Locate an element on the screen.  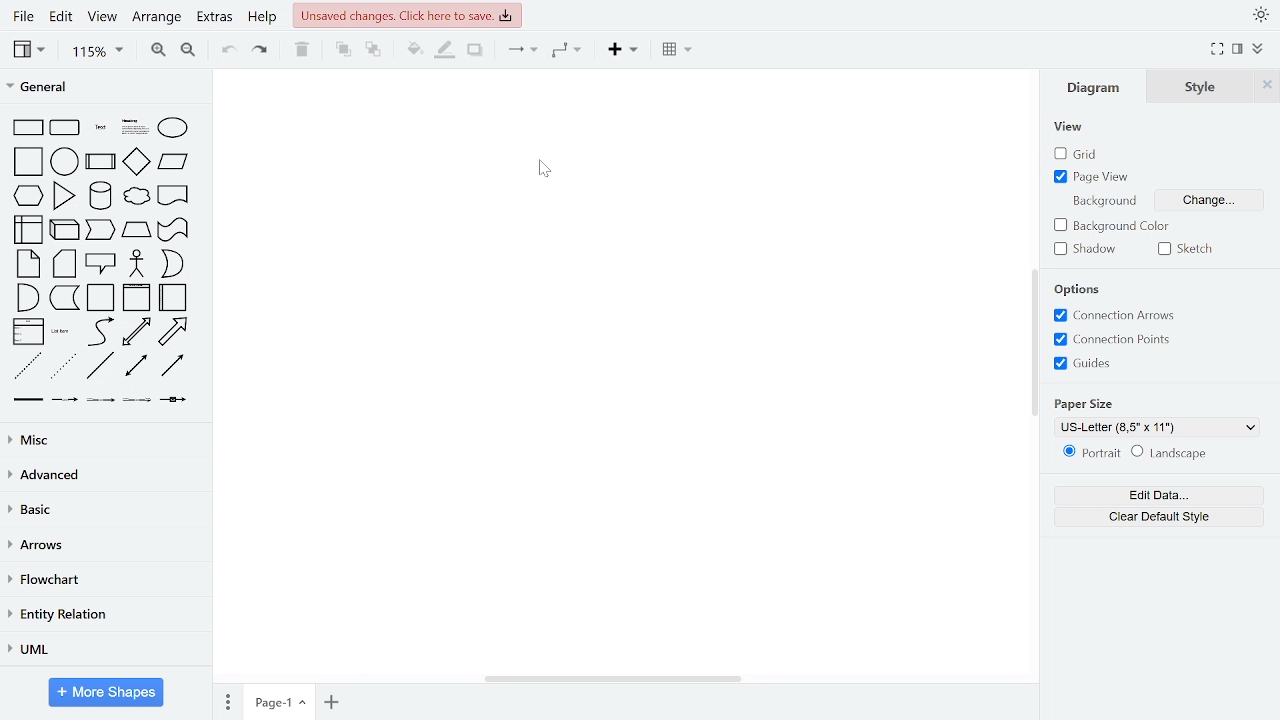
current page is located at coordinates (281, 701).